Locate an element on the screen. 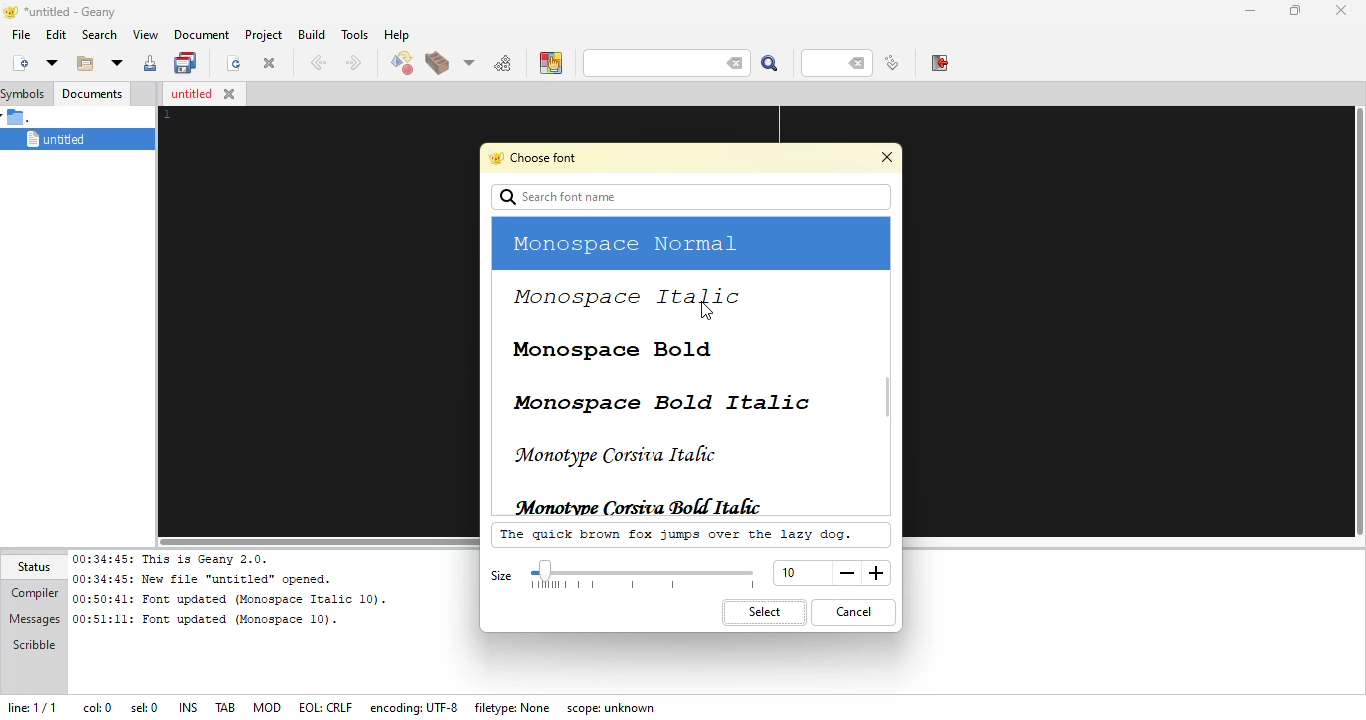 This screenshot has height=720, width=1366. monotype corsiva italic is located at coordinates (612, 452).